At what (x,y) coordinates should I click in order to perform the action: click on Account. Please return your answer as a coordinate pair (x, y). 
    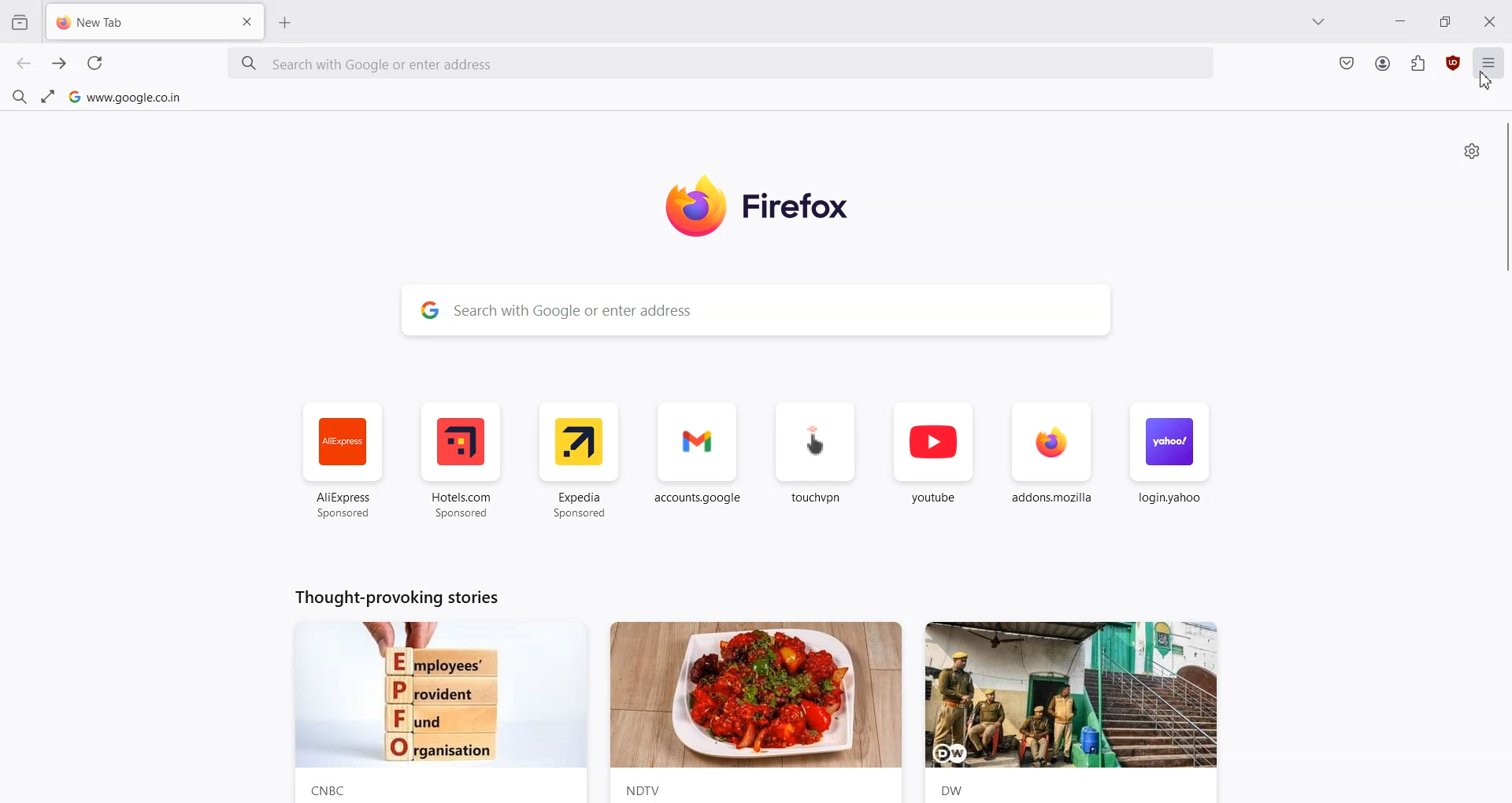
    Looking at the image, I should click on (1383, 64).